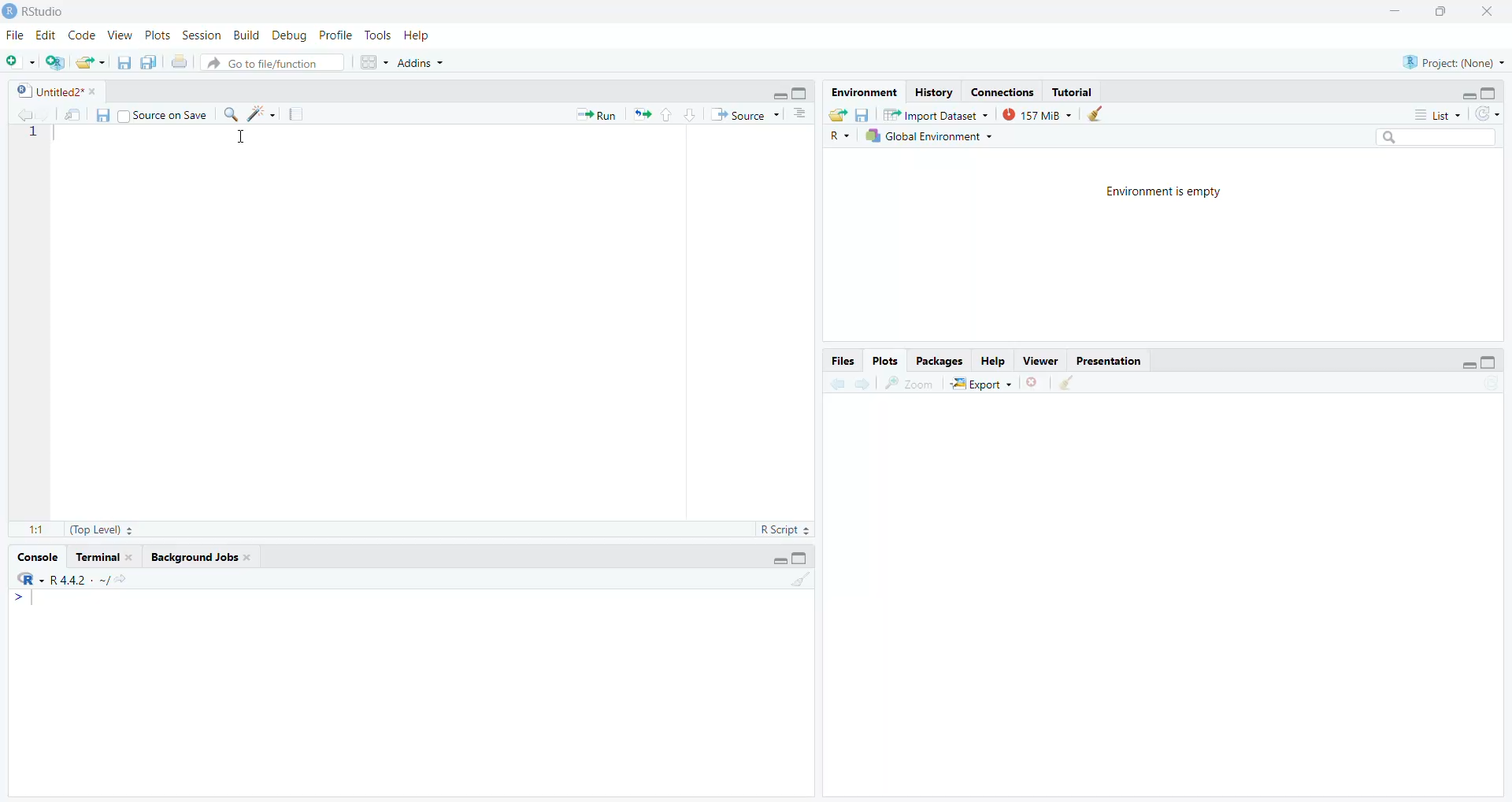  What do you see at coordinates (180, 64) in the screenshot?
I see `print the current file` at bounding box center [180, 64].